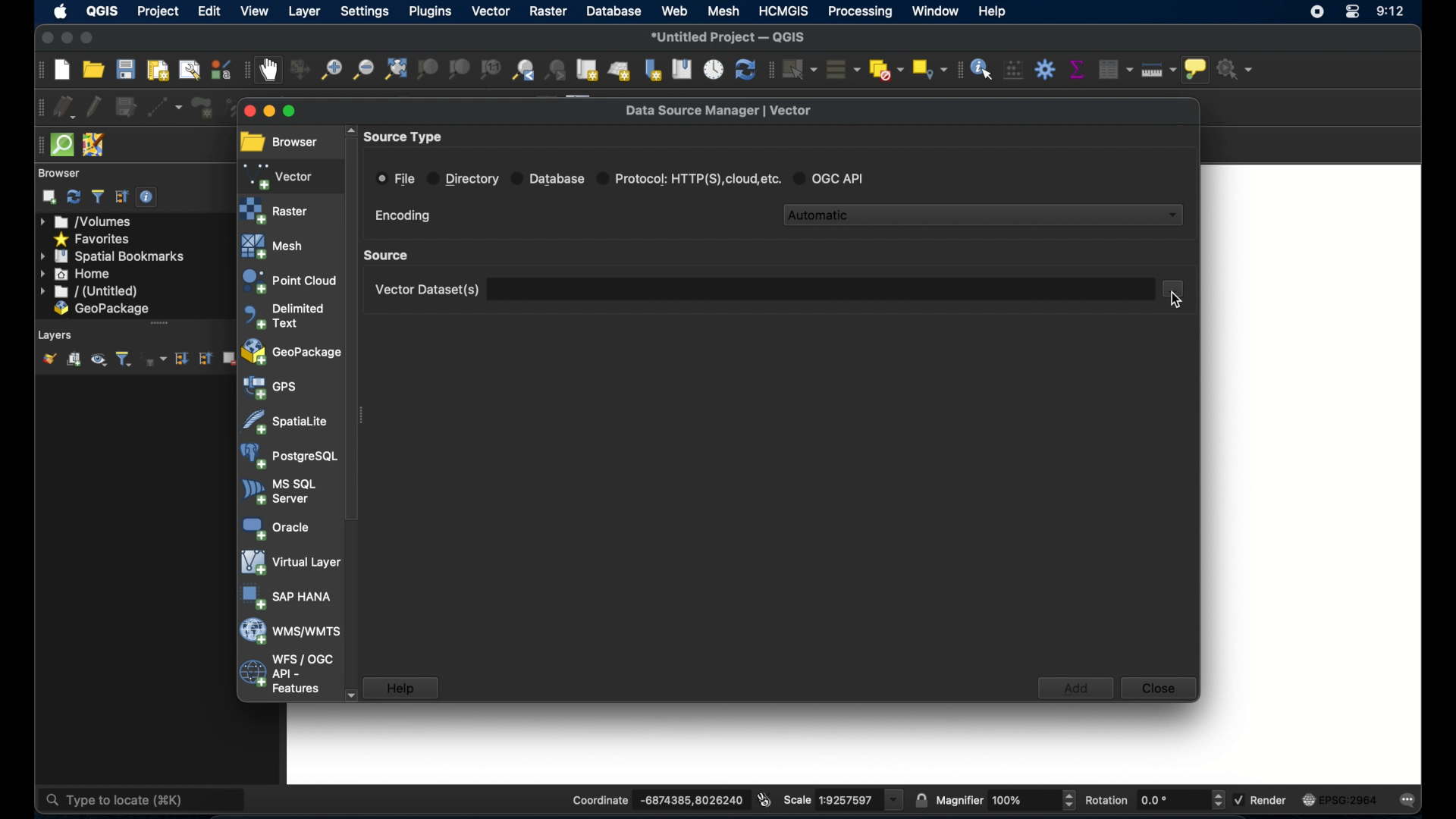 The image size is (1456, 819). I want to click on show spatial bookmarks, so click(681, 68).